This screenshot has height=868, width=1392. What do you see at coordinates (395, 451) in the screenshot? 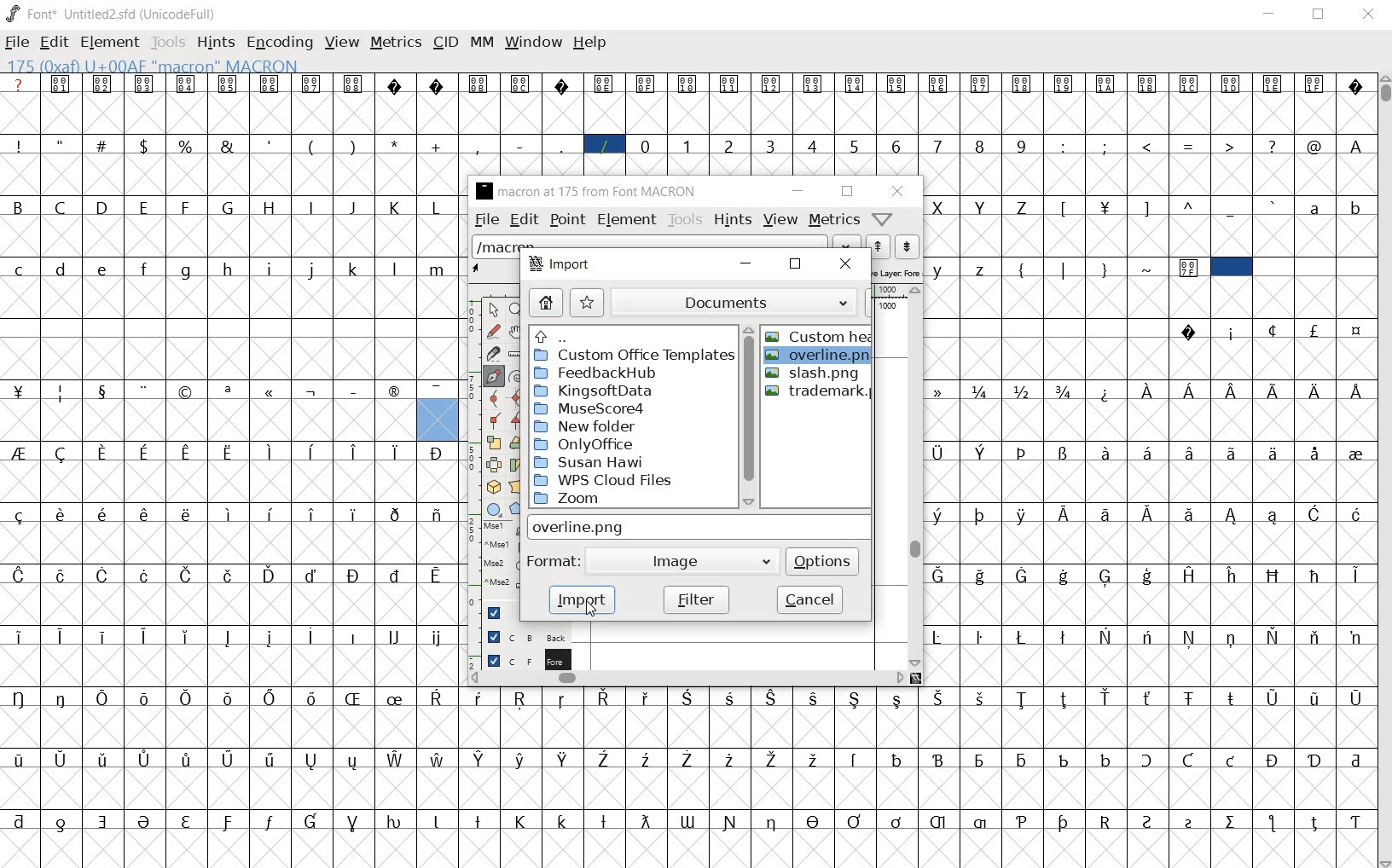
I see `Symbol` at bounding box center [395, 451].